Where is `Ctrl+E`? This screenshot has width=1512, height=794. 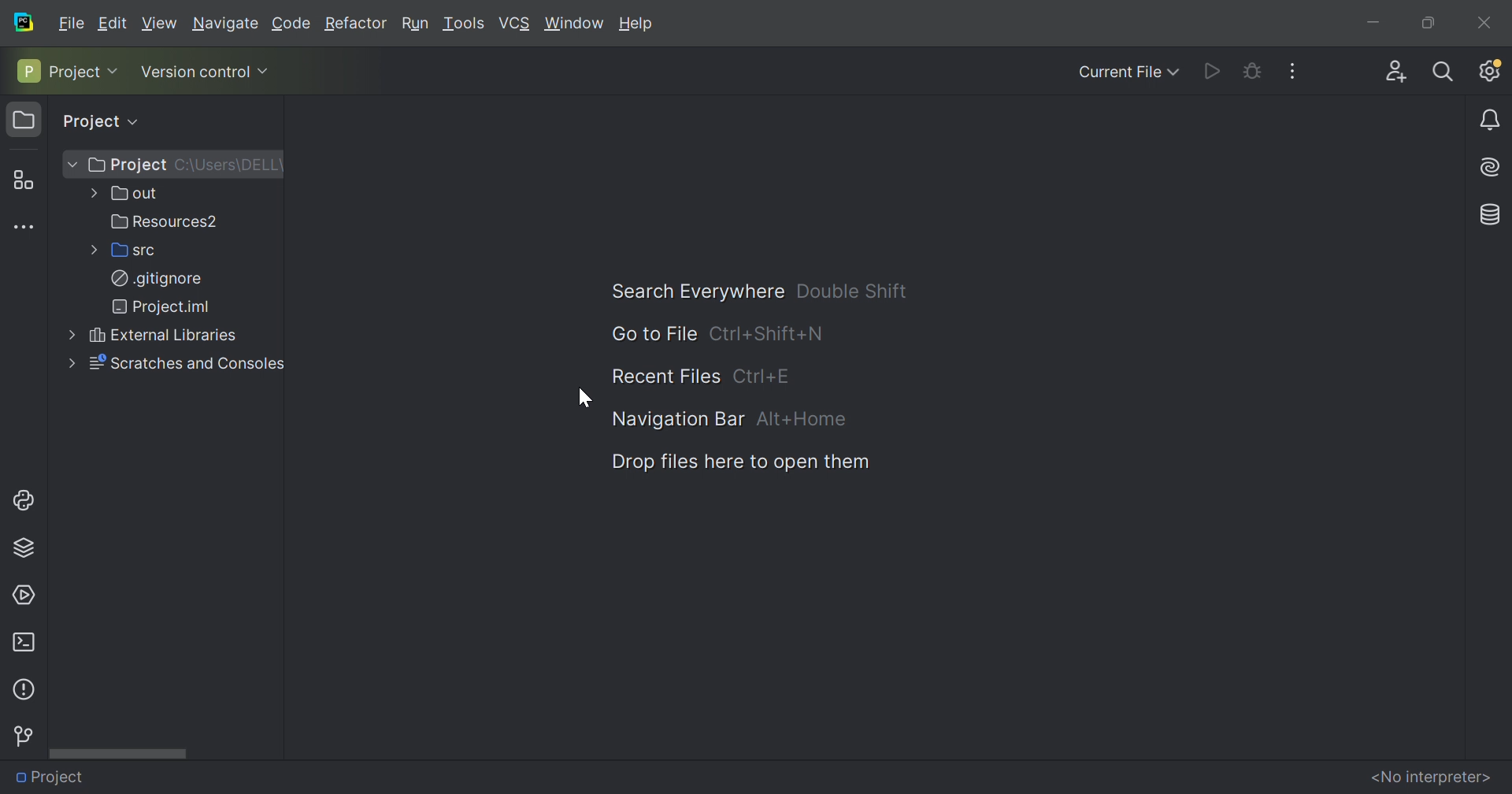 Ctrl+E is located at coordinates (764, 377).